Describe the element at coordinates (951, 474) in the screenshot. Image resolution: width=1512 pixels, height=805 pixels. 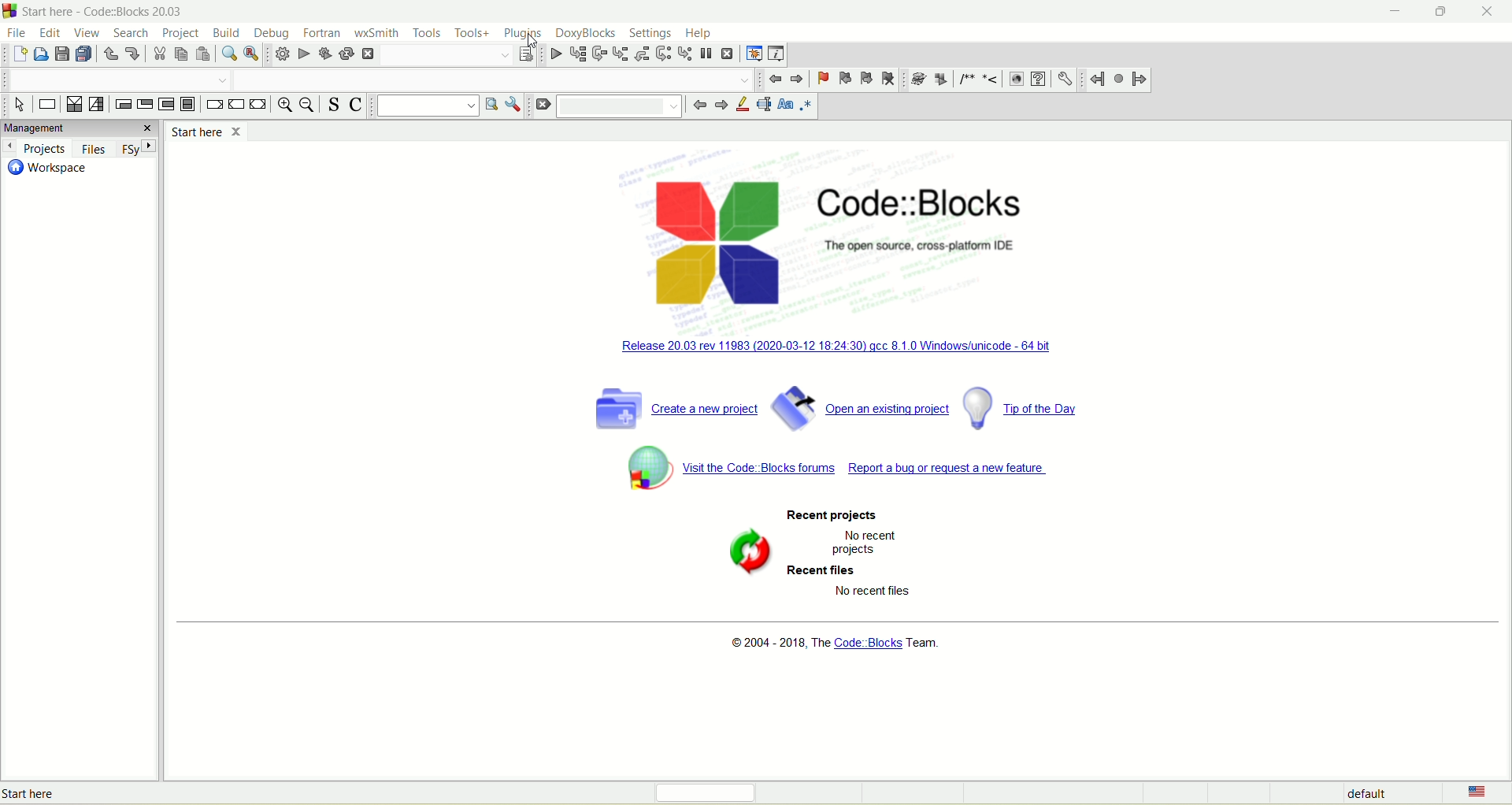
I see `report a bug` at that location.